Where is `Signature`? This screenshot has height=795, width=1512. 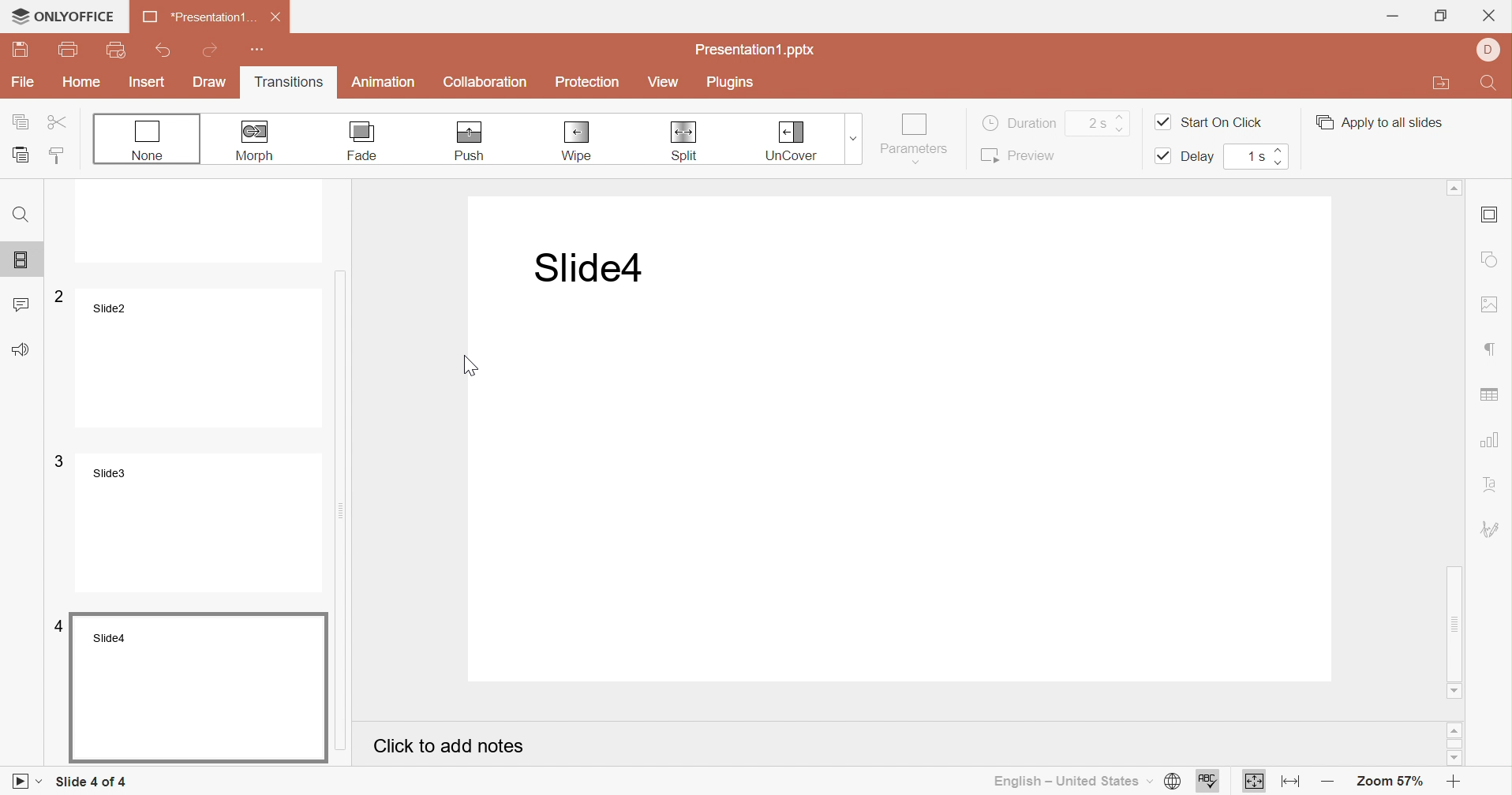 Signature is located at coordinates (1494, 530).